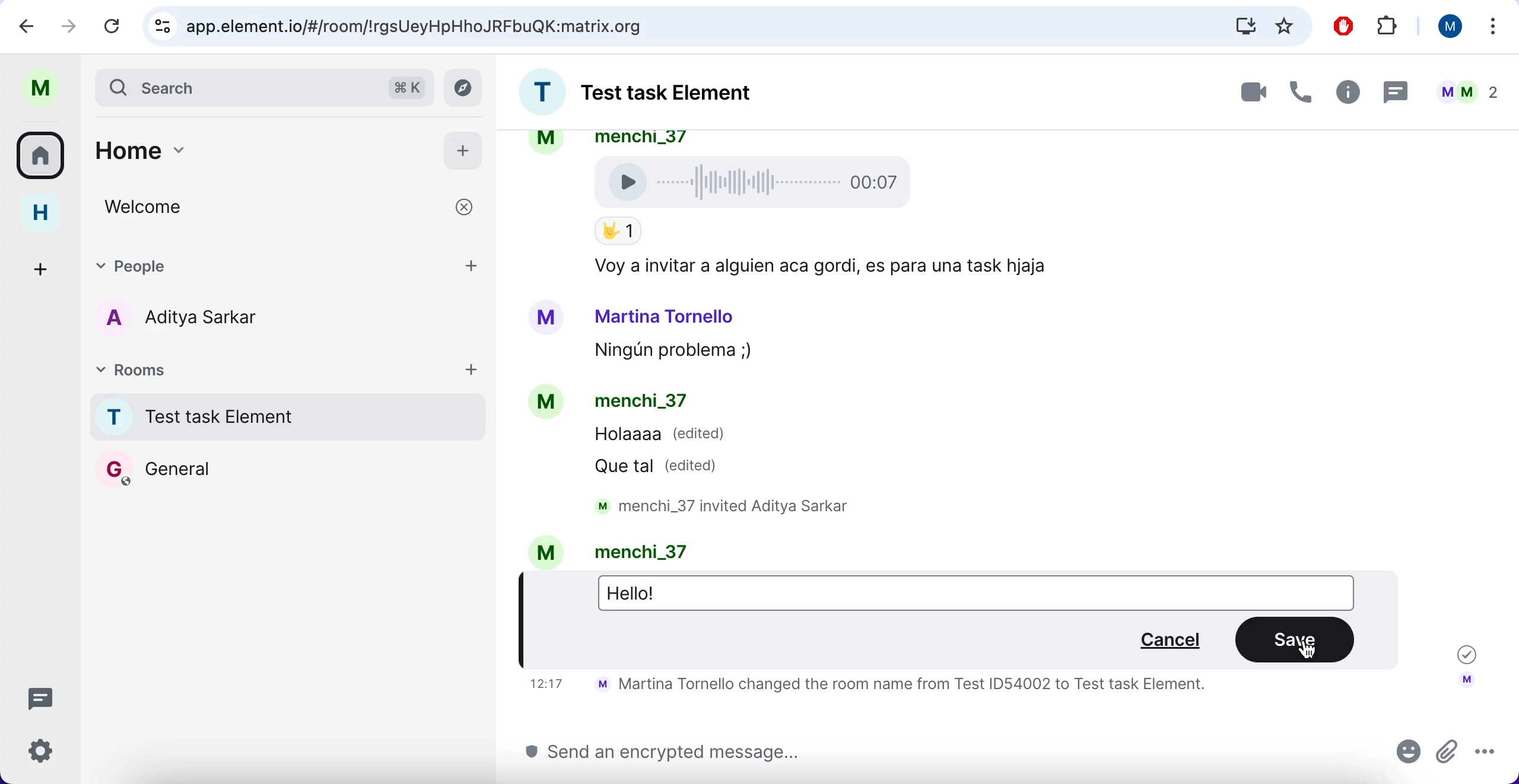 The image size is (1519, 784). What do you see at coordinates (1286, 25) in the screenshot?
I see `favorites` at bounding box center [1286, 25].